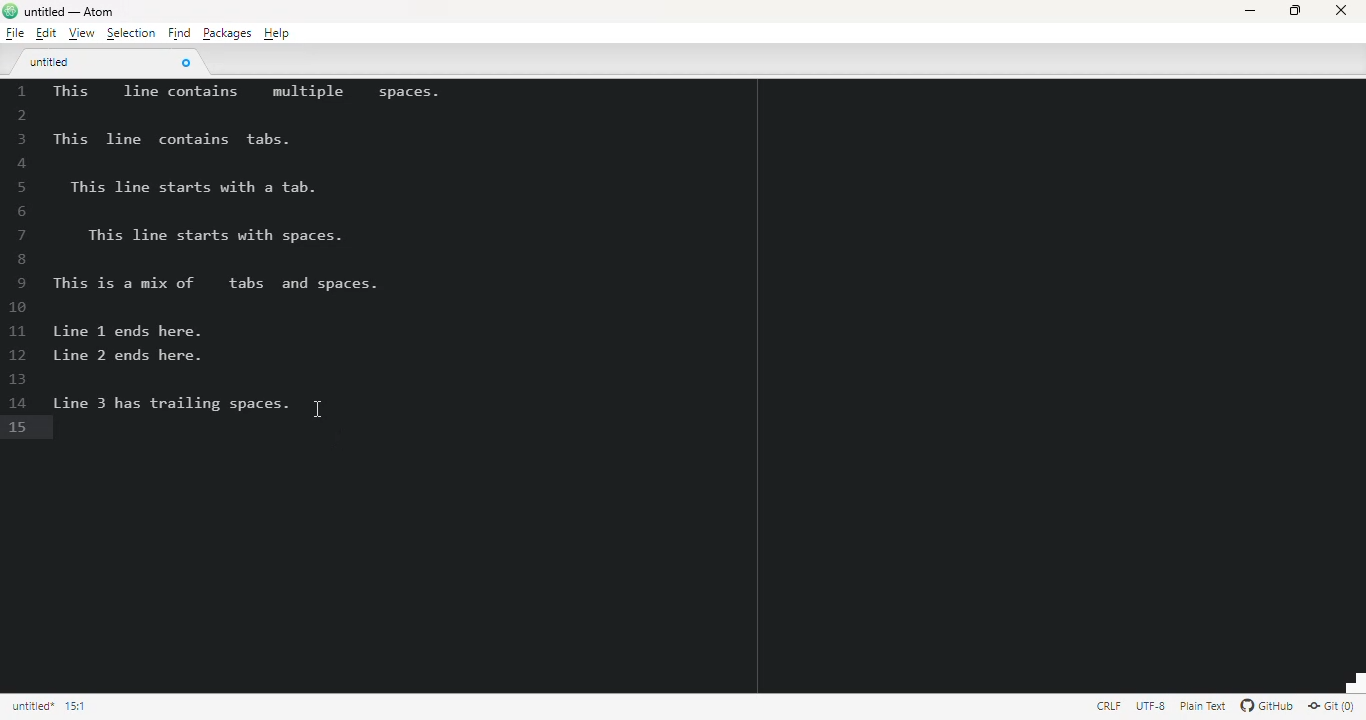 This screenshot has width=1366, height=720. I want to click on minimize, so click(1250, 11).